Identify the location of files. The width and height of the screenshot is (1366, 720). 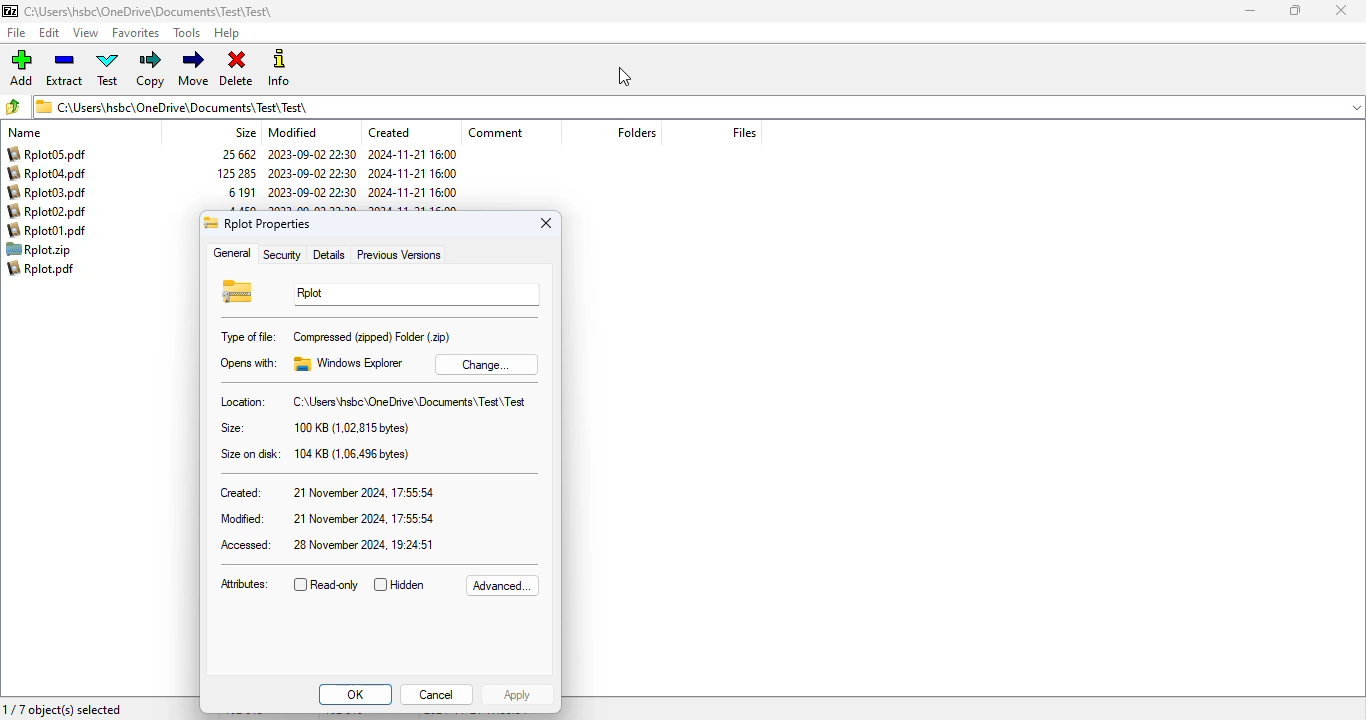
(744, 132).